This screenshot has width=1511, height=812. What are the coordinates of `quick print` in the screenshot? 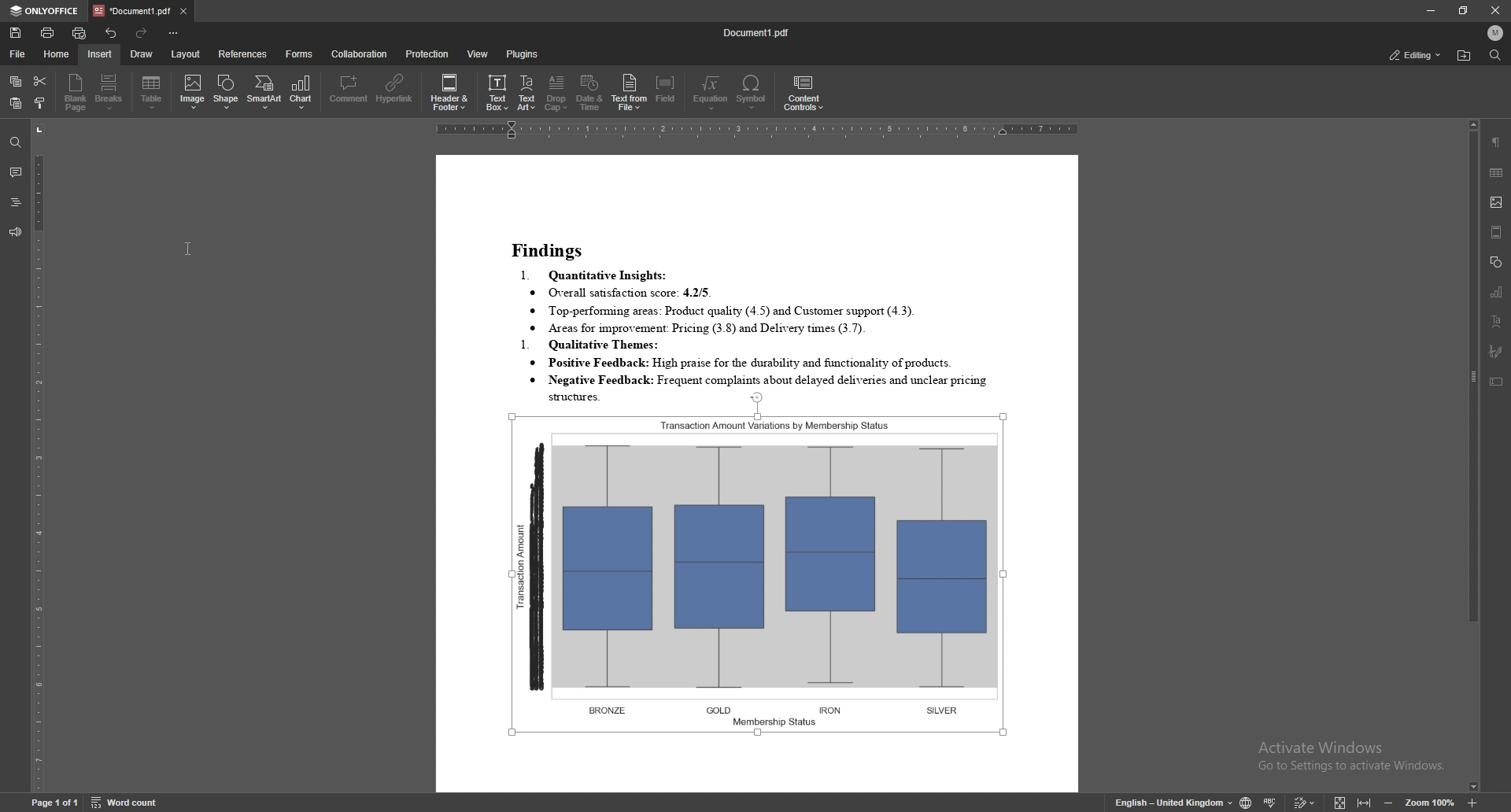 It's located at (80, 32).